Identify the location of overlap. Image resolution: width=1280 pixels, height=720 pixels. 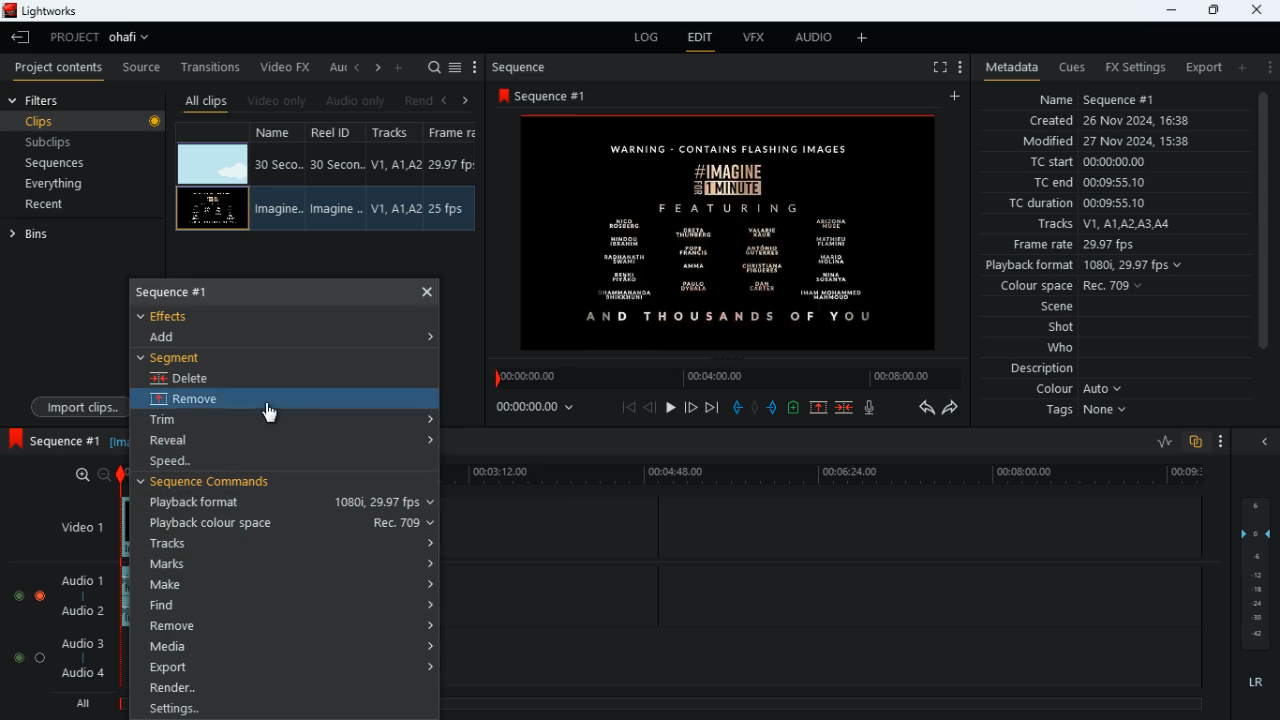
(1195, 441).